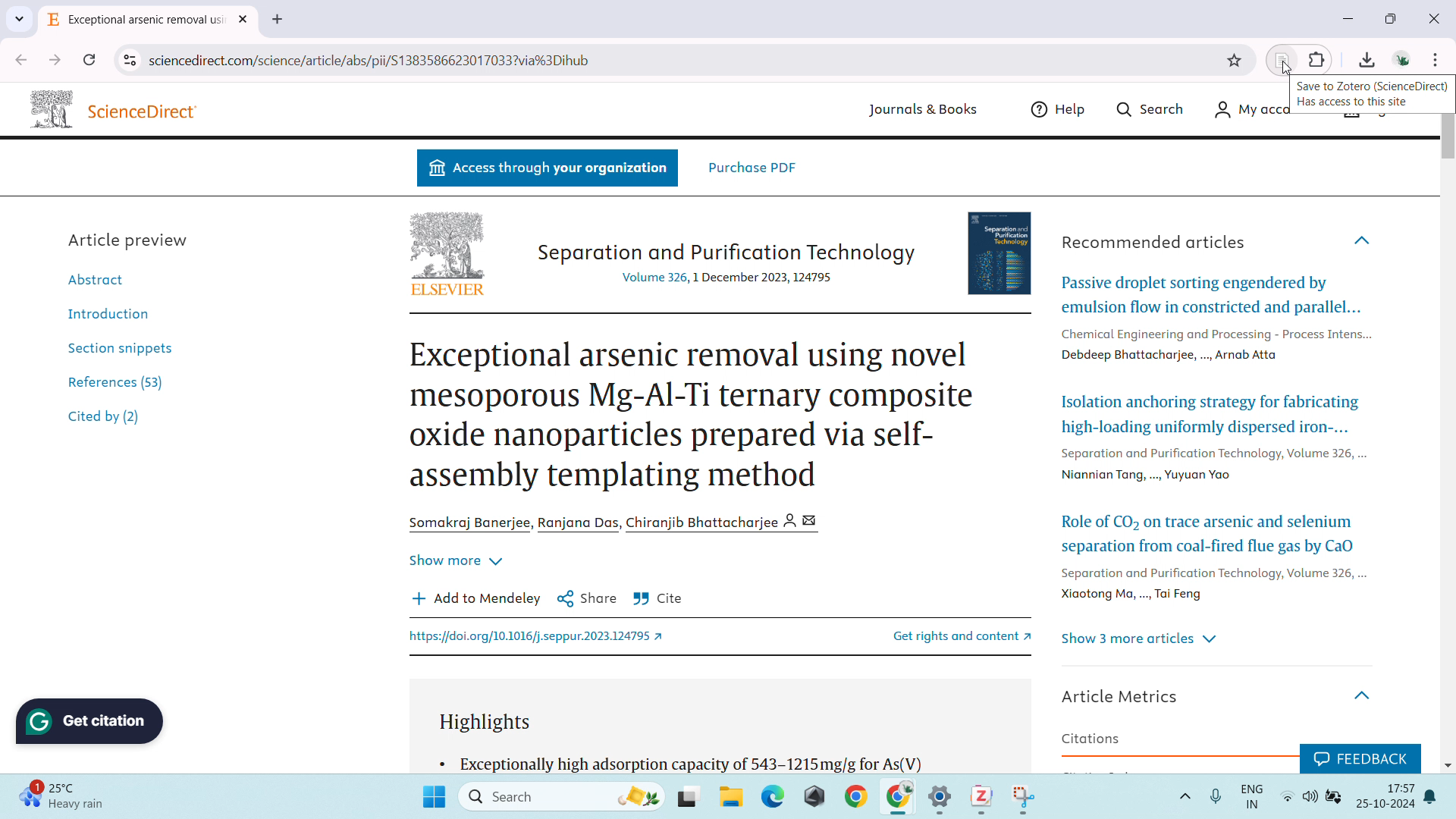 The height and width of the screenshot is (819, 1456). What do you see at coordinates (49, 107) in the screenshot?
I see `Logo` at bounding box center [49, 107].